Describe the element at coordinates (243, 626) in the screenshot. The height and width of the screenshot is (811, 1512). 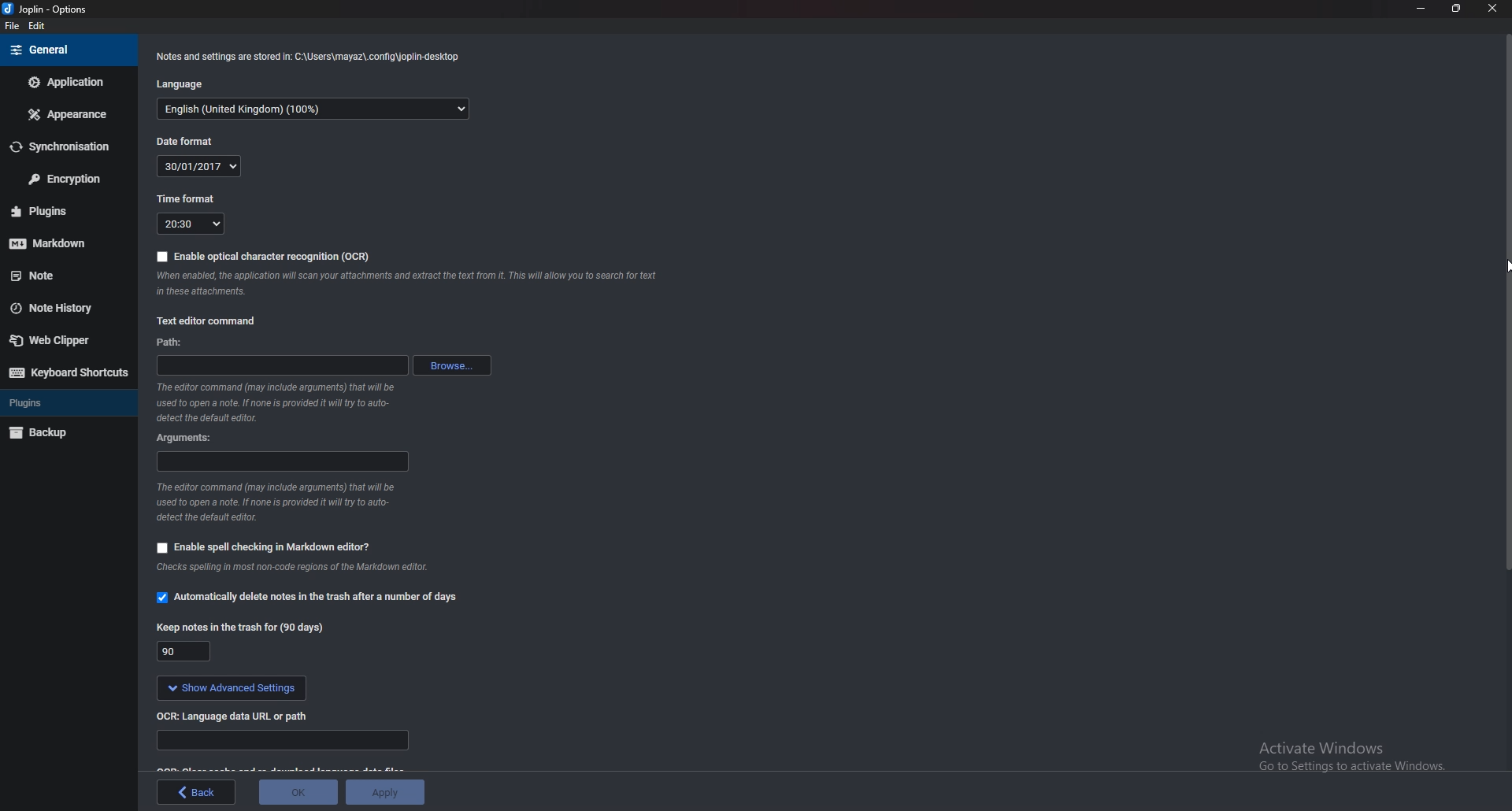
I see `Keep notes in the trash for` at that location.